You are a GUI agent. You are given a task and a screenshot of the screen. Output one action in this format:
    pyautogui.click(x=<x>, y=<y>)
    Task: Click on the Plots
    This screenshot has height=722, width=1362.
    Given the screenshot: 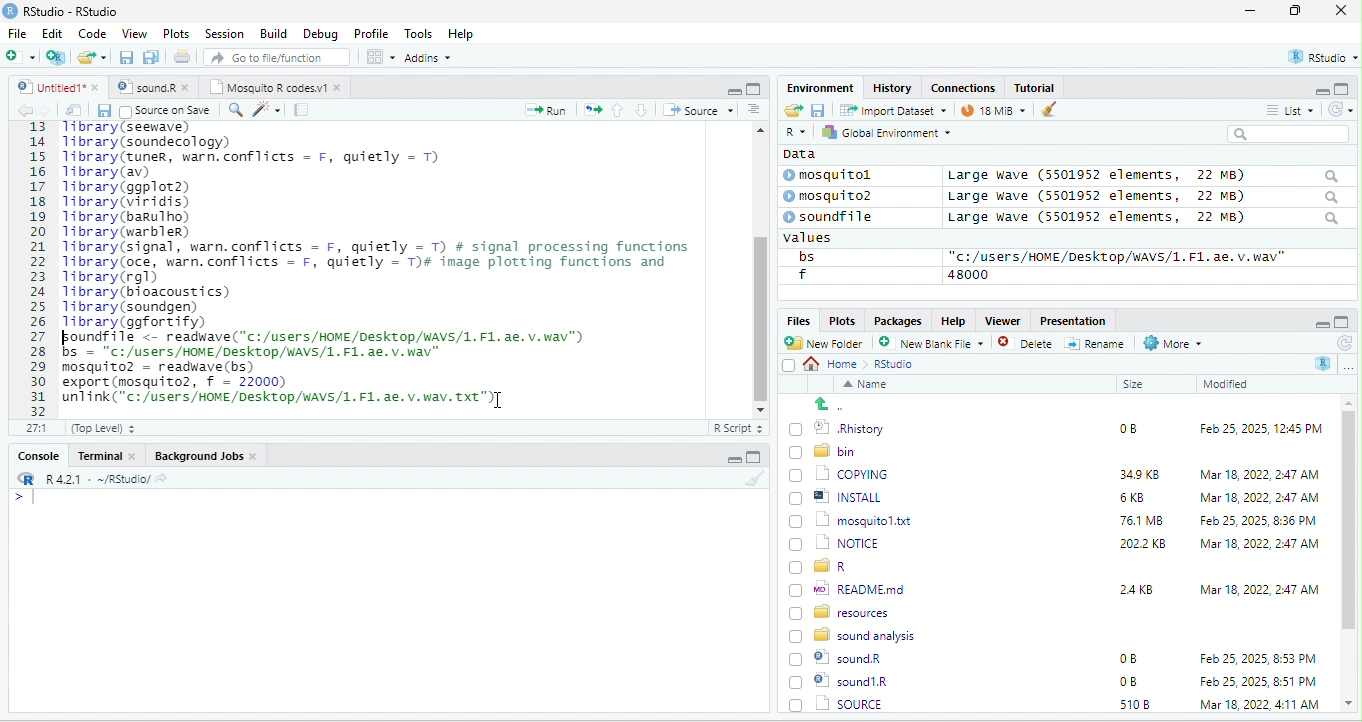 What is the action you would take?
    pyautogui.click(x=177, y=33)
    